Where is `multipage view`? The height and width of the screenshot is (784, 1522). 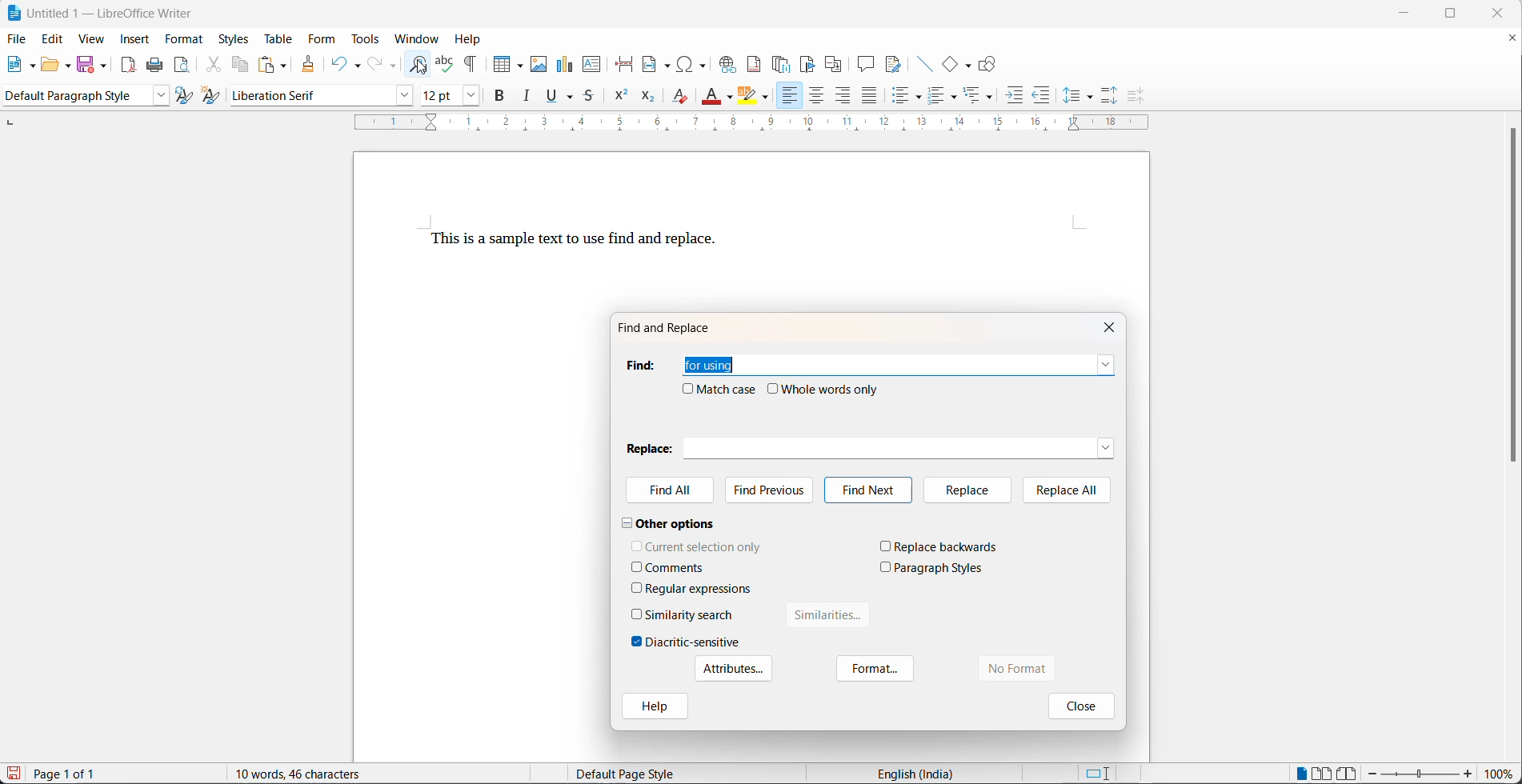
multipage view is located at coordinates (1321, 773).